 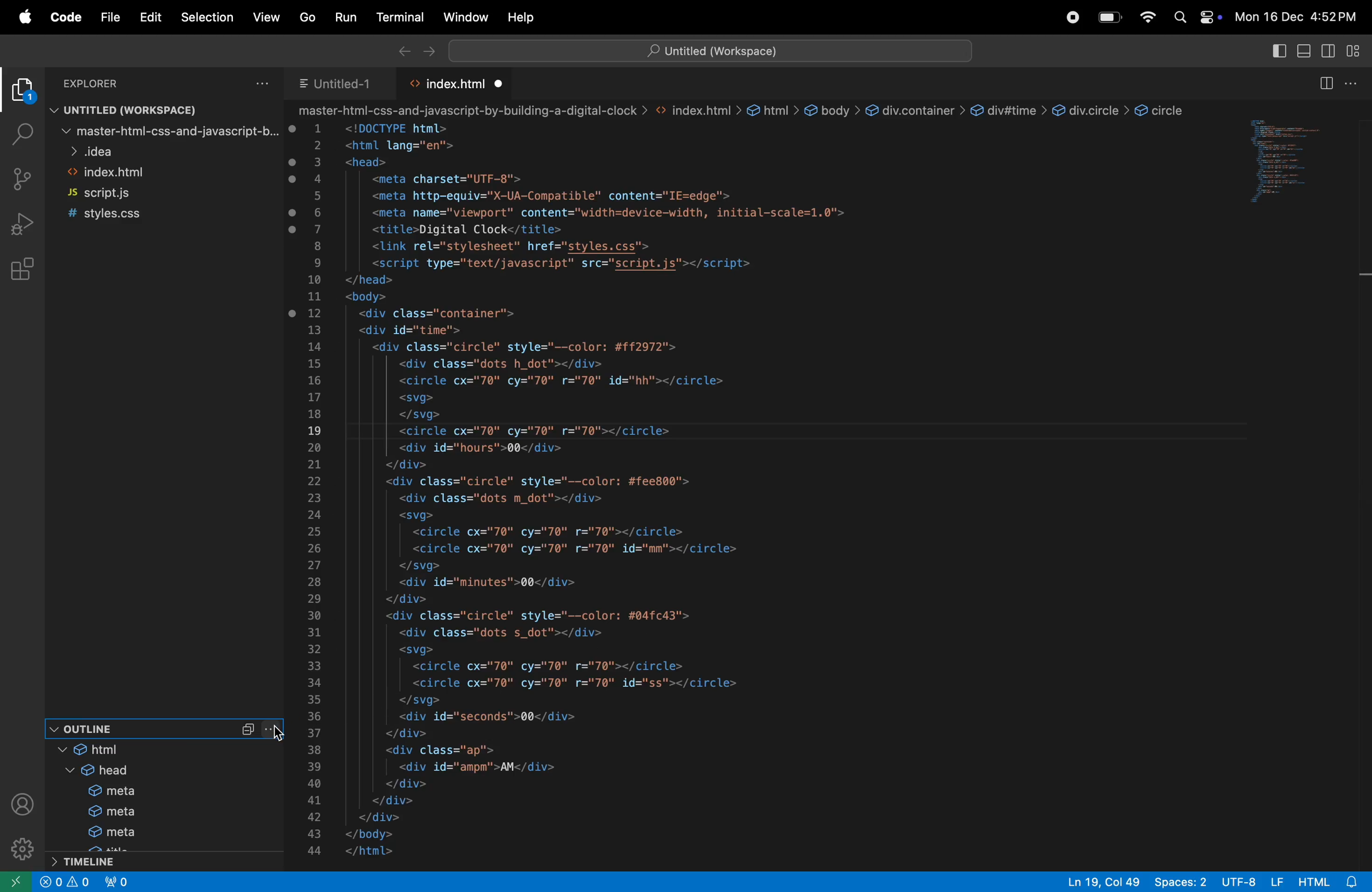 I want to click on style css, so click(x=144, y=214).